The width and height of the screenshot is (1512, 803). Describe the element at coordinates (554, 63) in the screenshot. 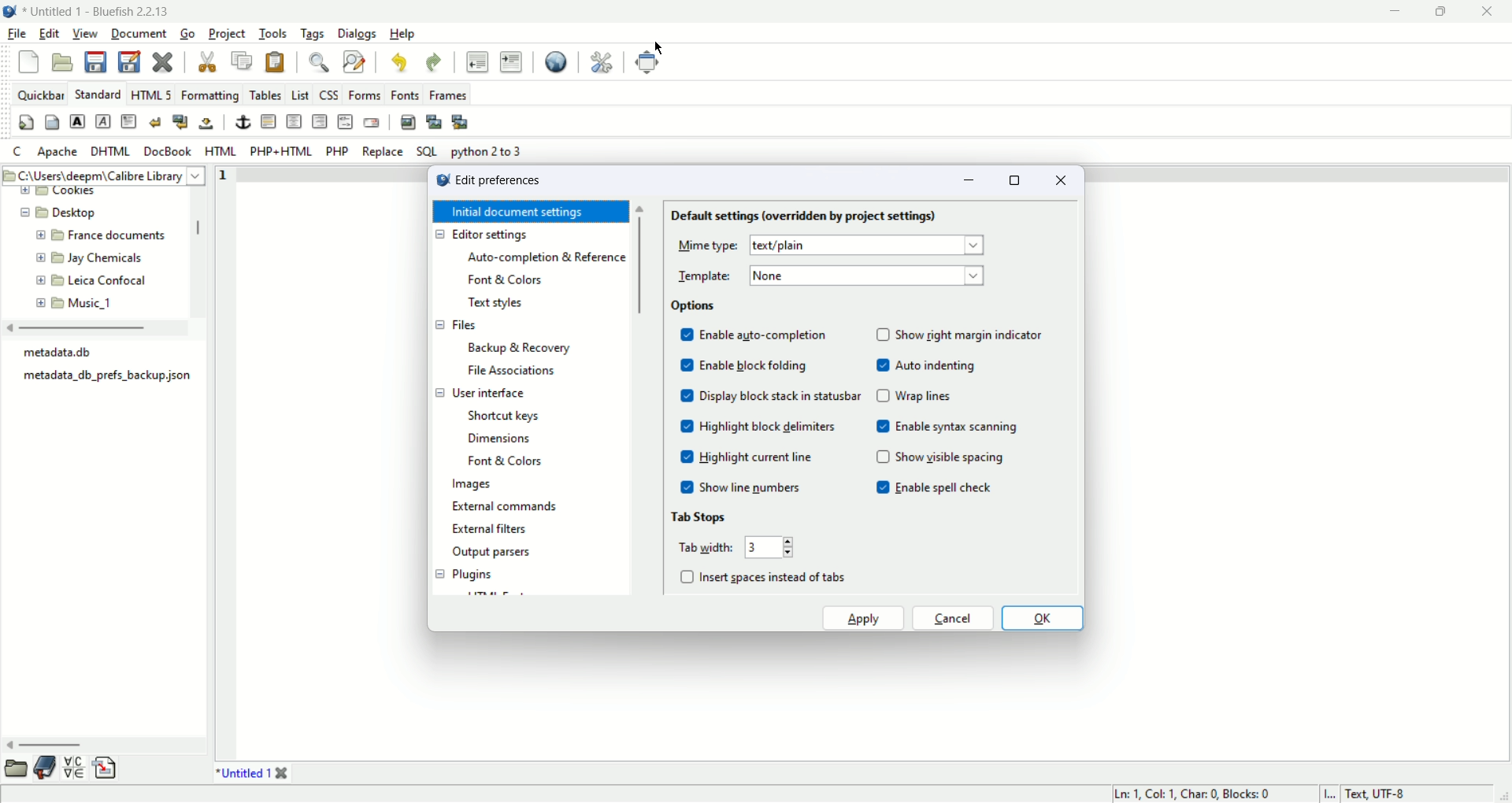

I see `view in browser` at that location.